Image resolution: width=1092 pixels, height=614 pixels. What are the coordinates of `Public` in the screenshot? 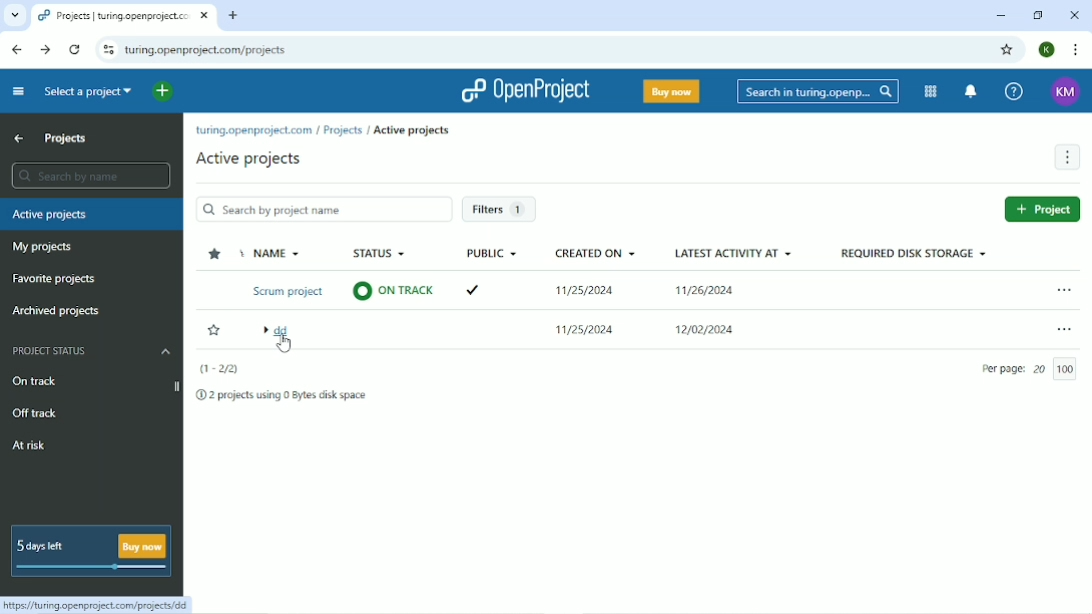 It's located at (489, 255).